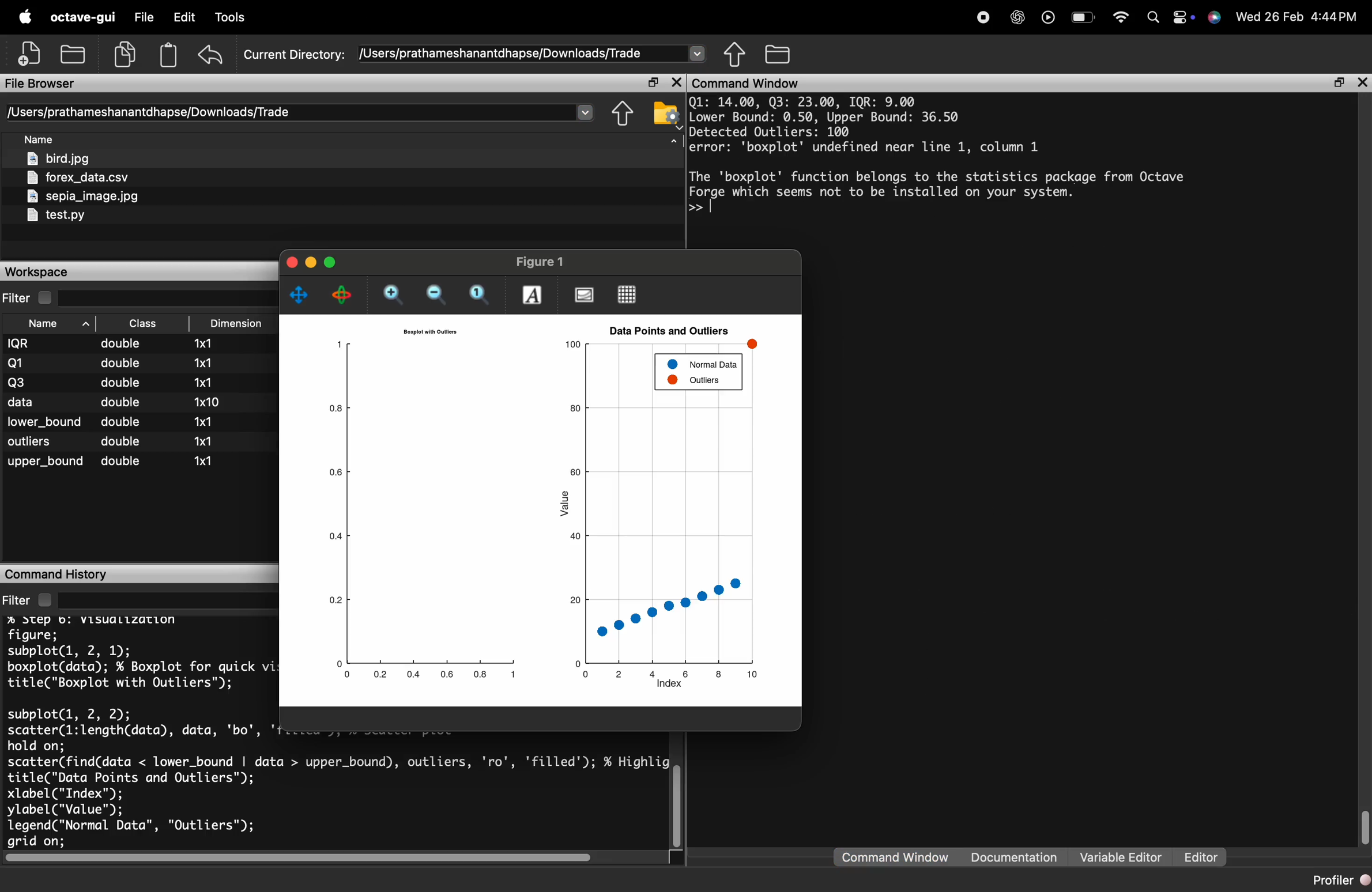  What do you see at coordinates (115, 343) in the screenshot?
I see `IQR double 1x1` at bounding box center [115, 343].